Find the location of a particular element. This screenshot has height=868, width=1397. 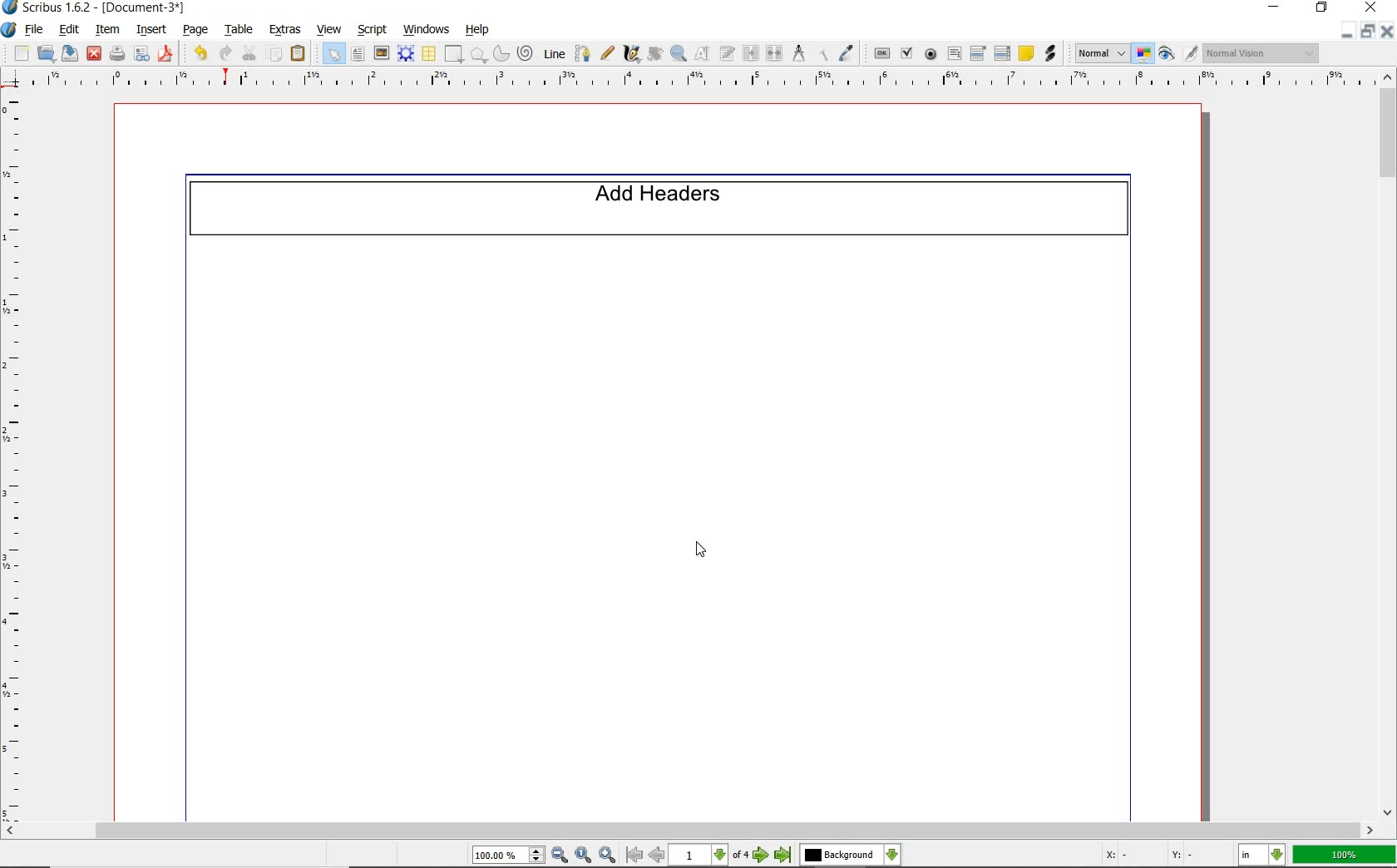

windows is located at coordinates (427, 31).